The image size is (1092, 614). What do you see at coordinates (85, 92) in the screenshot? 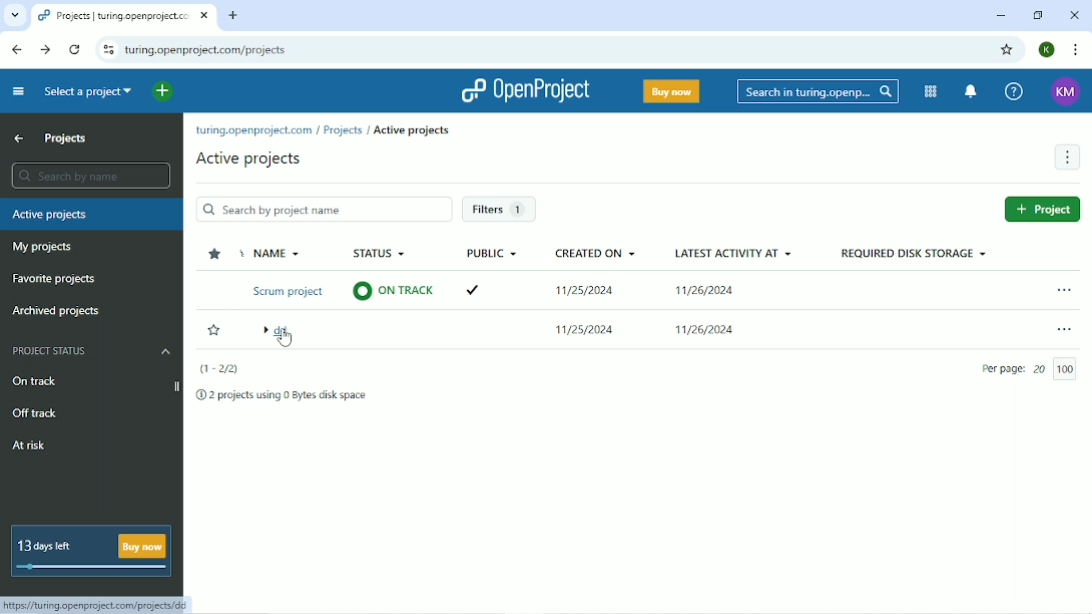
I see `Search a project` at bounding box center [85, 92].